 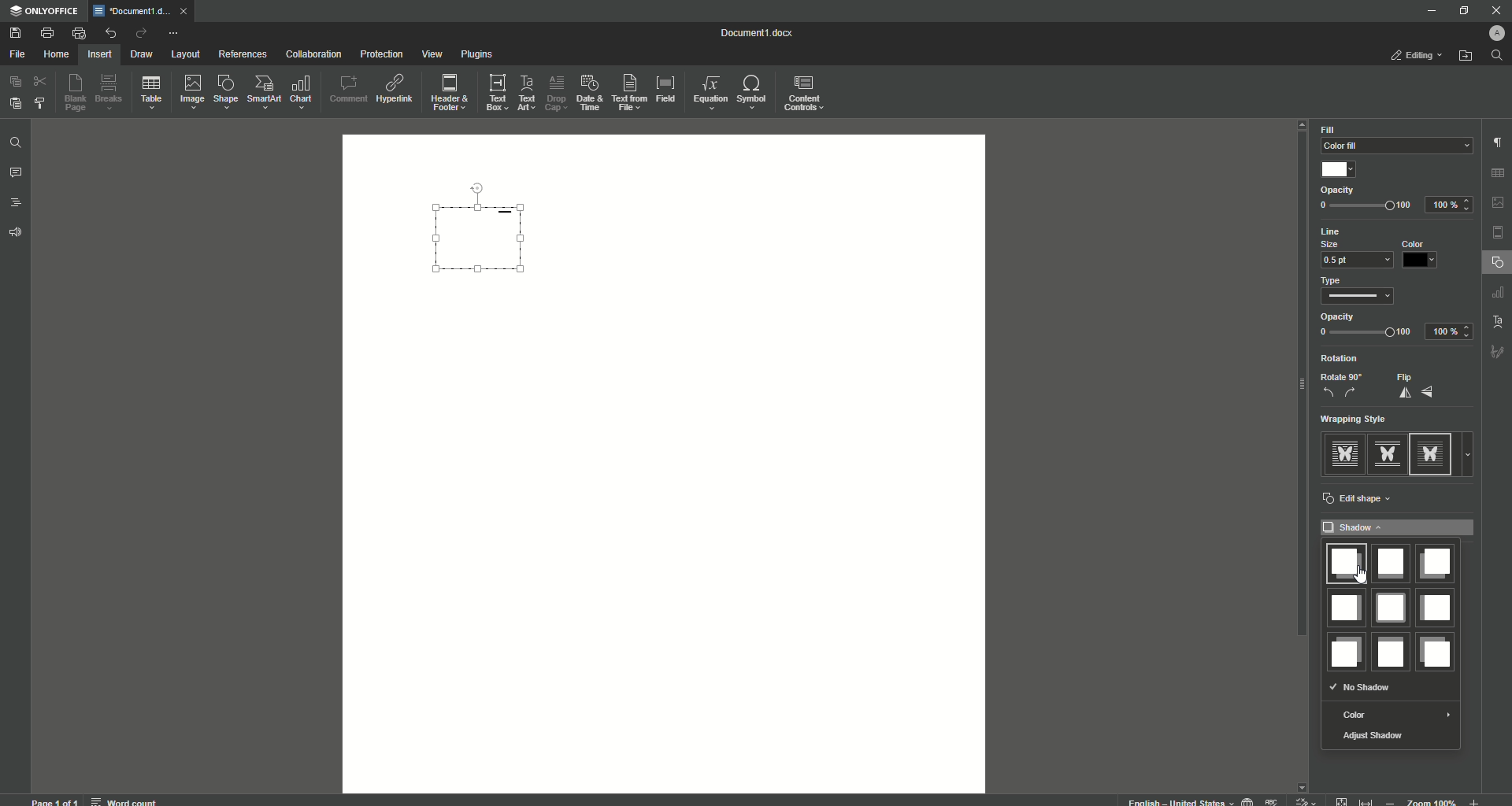 I want to click on No Shadow, so click(x=1362, y=687).